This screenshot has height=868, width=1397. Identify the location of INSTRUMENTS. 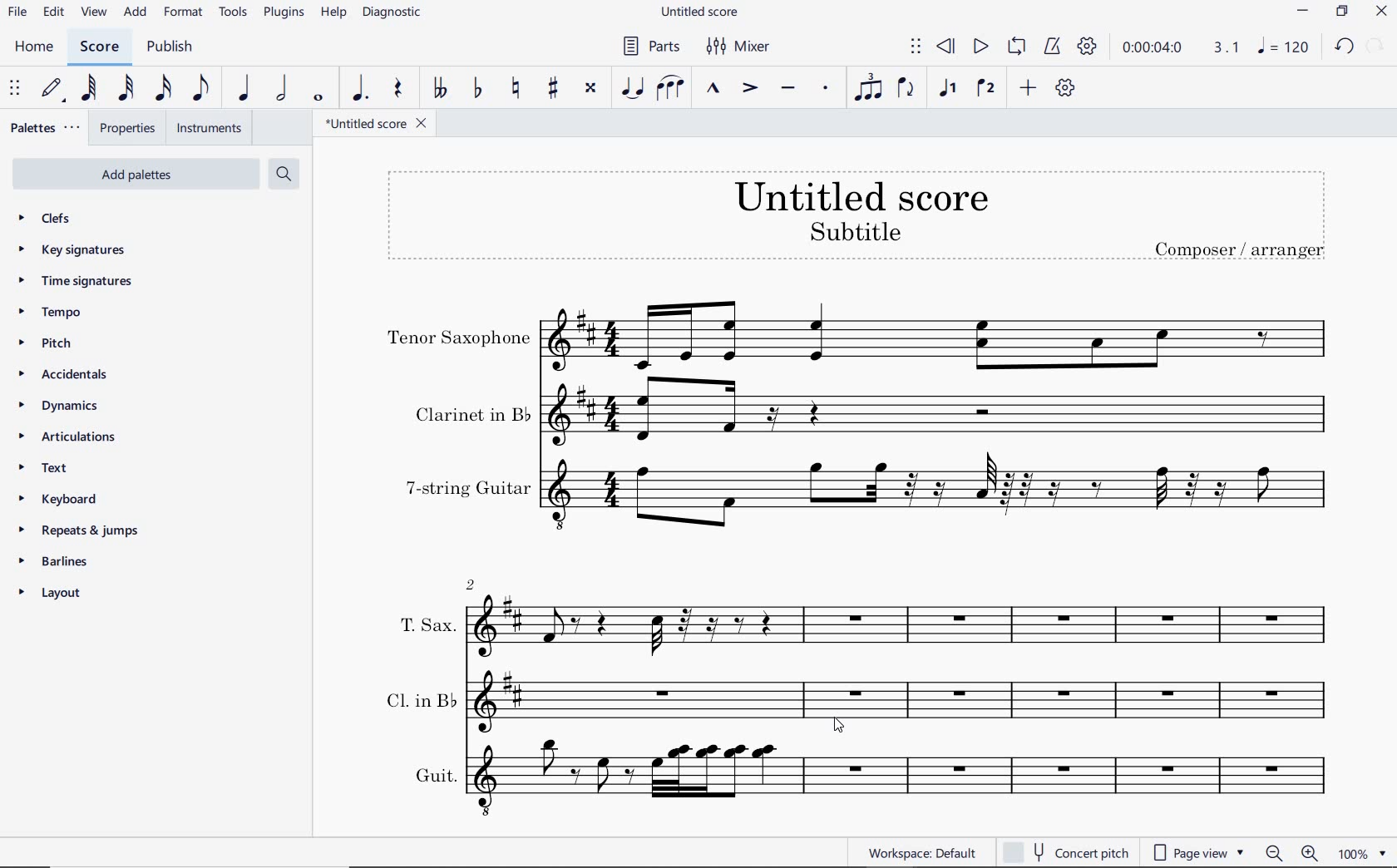
(208, 129).